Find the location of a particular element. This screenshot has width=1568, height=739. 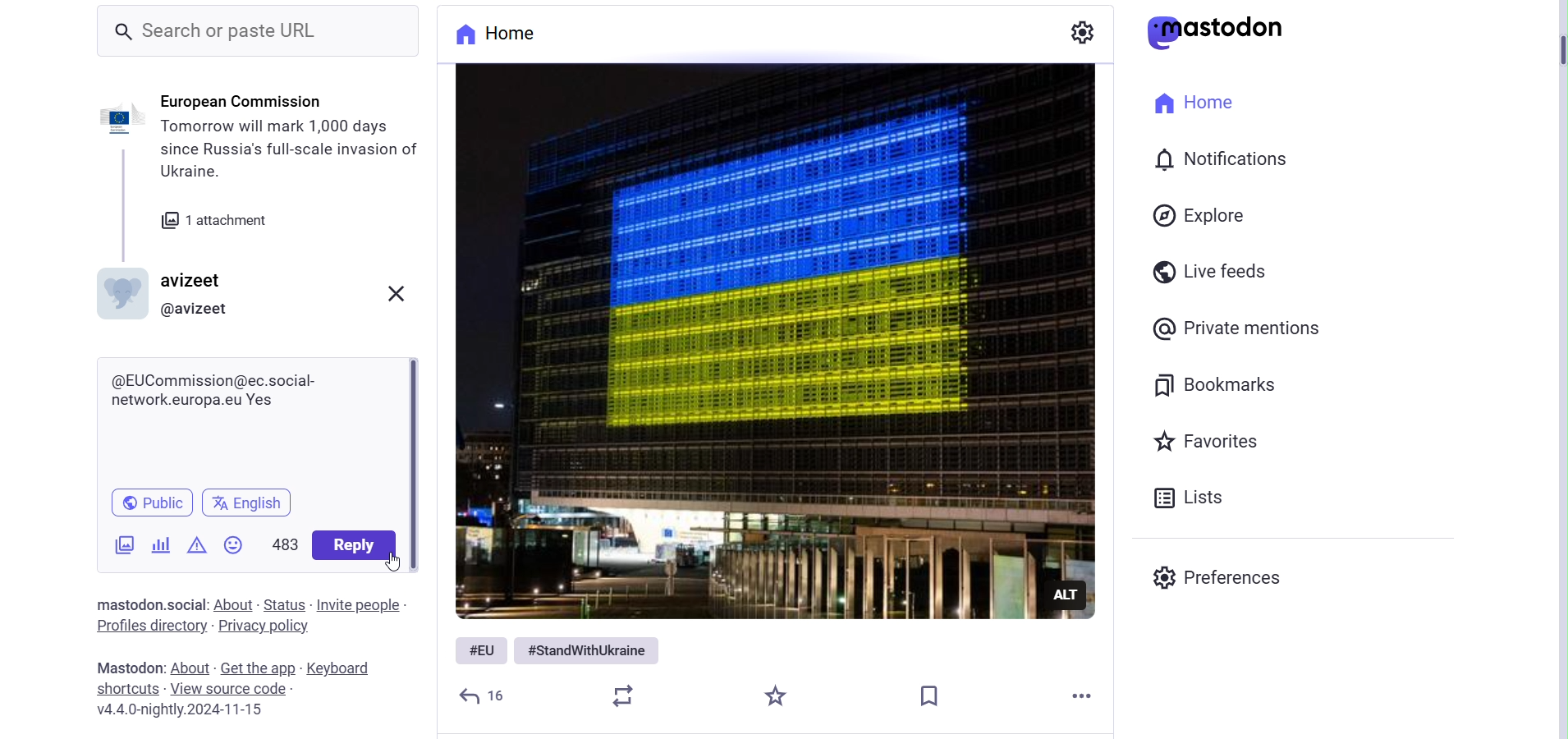

Image Posted is located at coordinates (766, 342).